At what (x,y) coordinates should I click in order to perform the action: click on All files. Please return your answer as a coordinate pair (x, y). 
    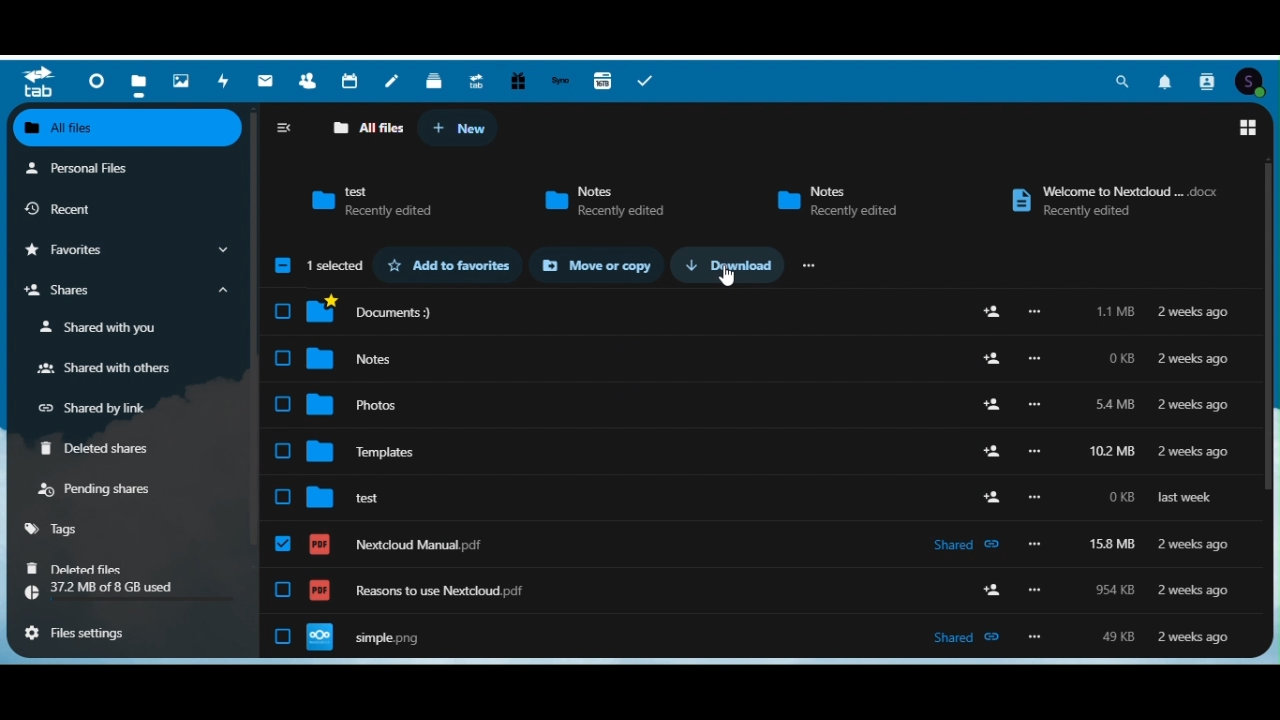
    Looking at the image, I should click on (360, 128).